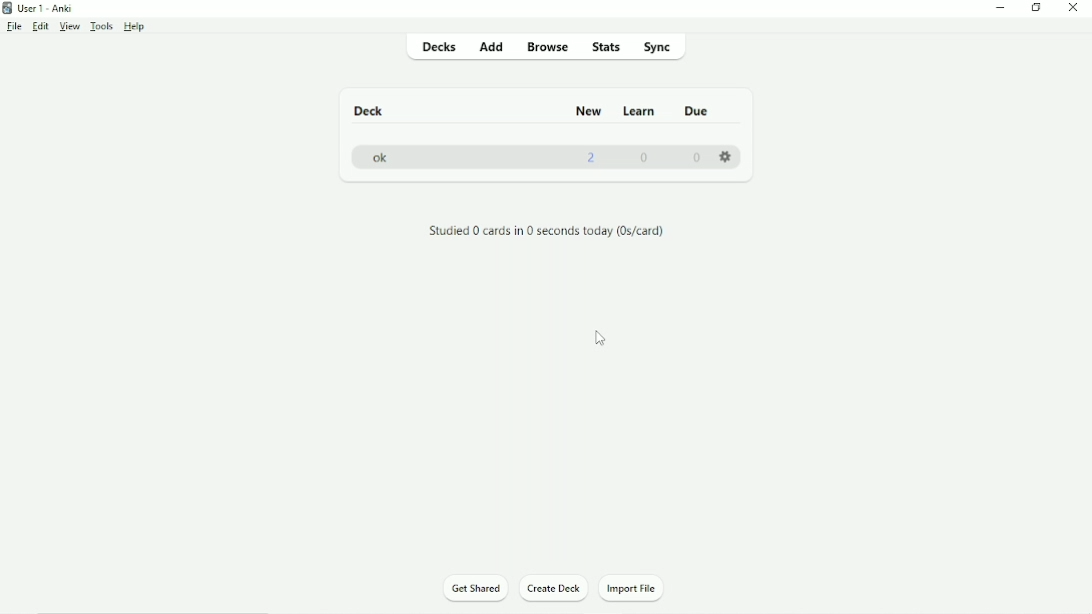 The width and height of the screenshot is (1092, 614). Describe the element at coordinates (367, 111) in the screenshot. I see `Deck` at that location.